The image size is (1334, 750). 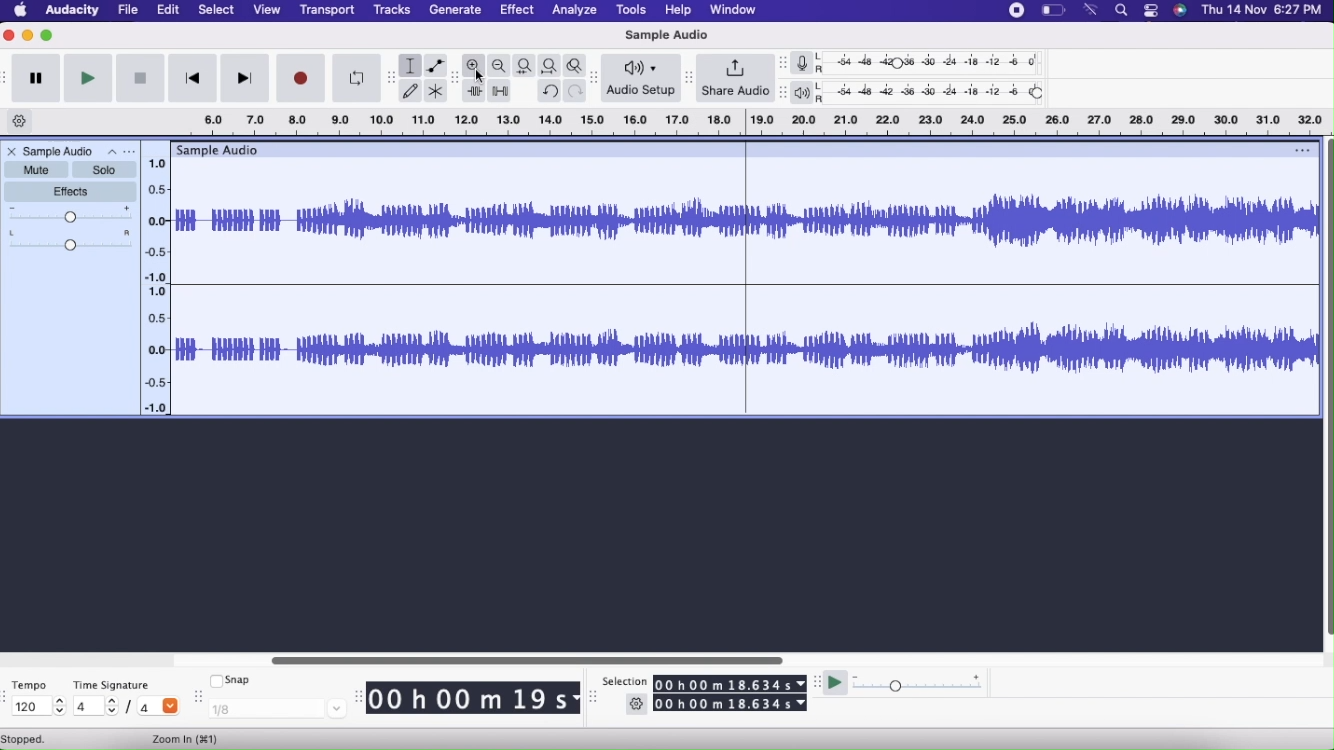 What do you see at coordinates (128, 10) in the screenshot?
I see `File` at bounding box center [128, 10].